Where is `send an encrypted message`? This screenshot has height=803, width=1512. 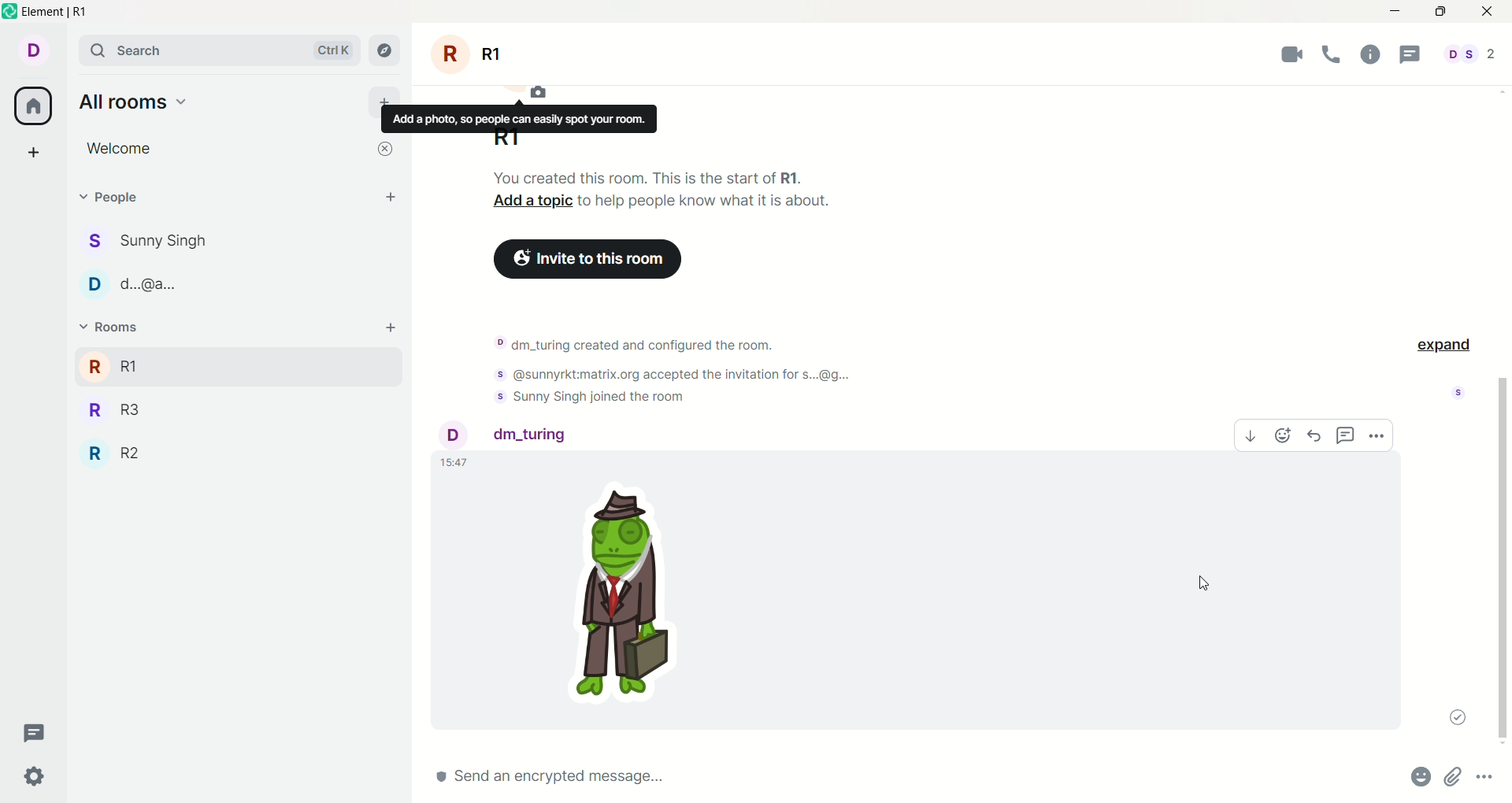
send an encrypted message is located at coordinates (873, 777).